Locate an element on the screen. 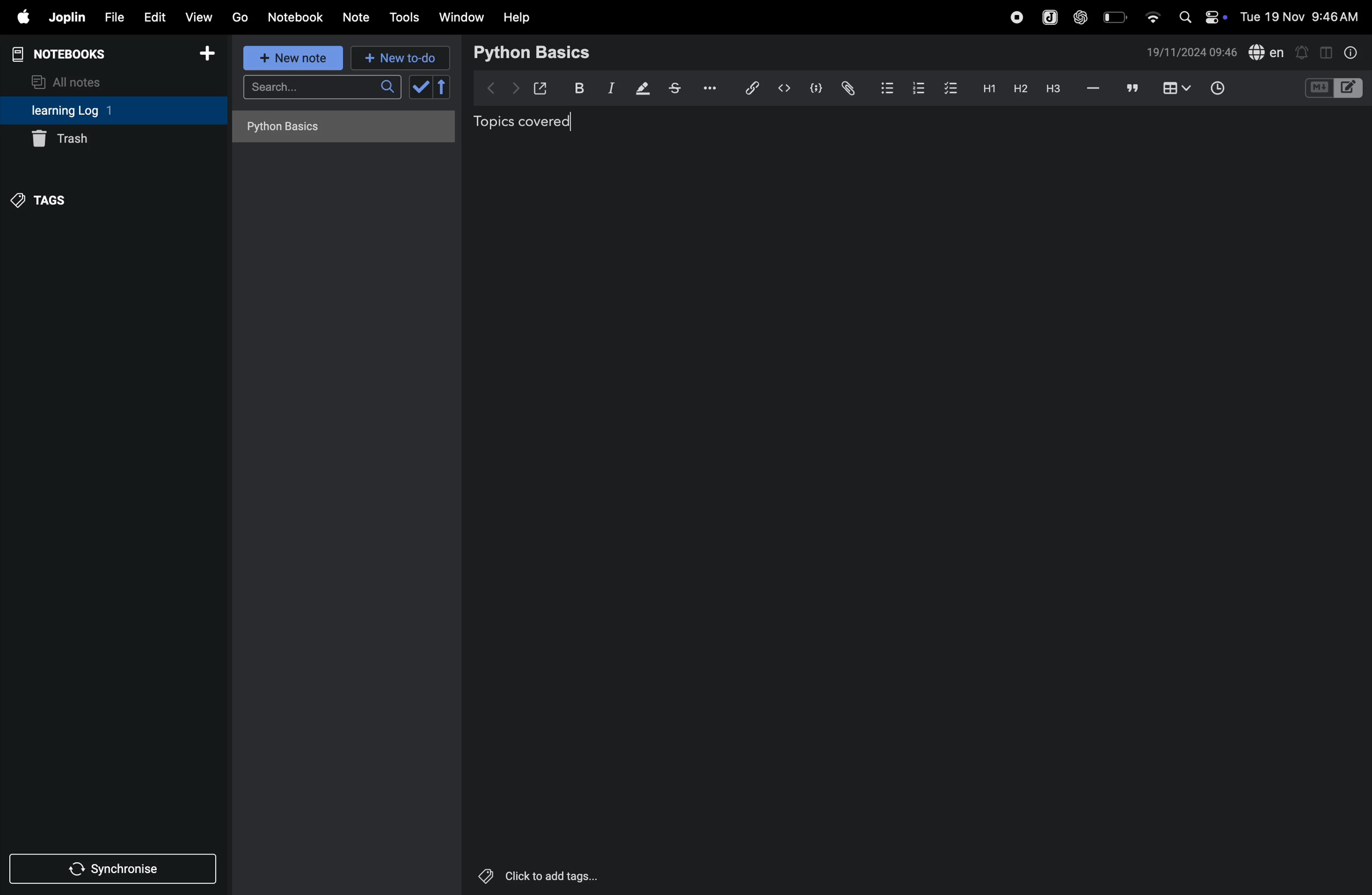 This screenshot has width=1372, height=895. trash is located at coordinates (113, 138).